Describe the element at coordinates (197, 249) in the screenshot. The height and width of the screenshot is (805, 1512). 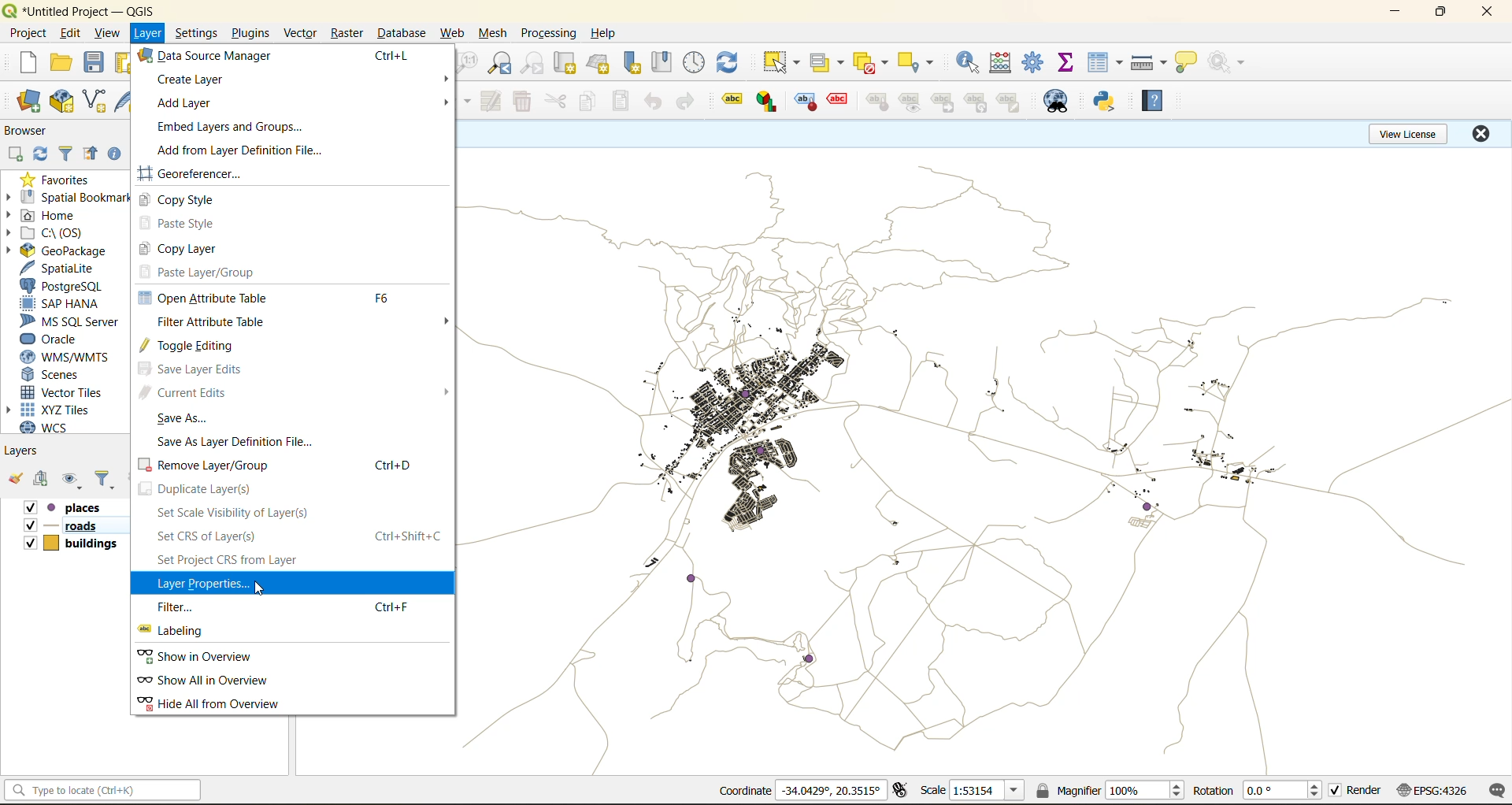
I see `copy layer` at that location.